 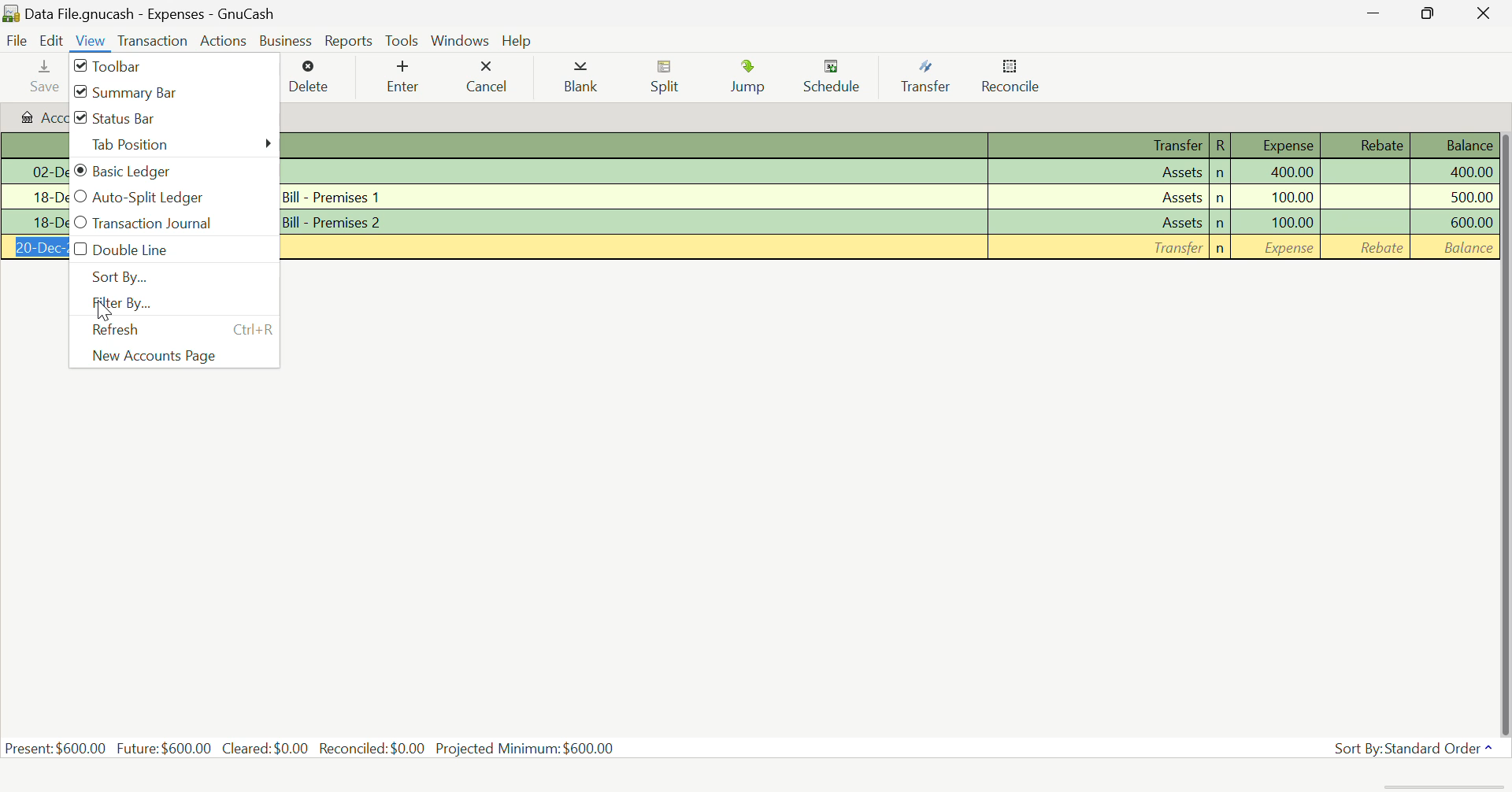 What do you see at coordinates (1503, 433) in the screenshot?
I see `Scroll Bar` at bounding box center [1503, 433].